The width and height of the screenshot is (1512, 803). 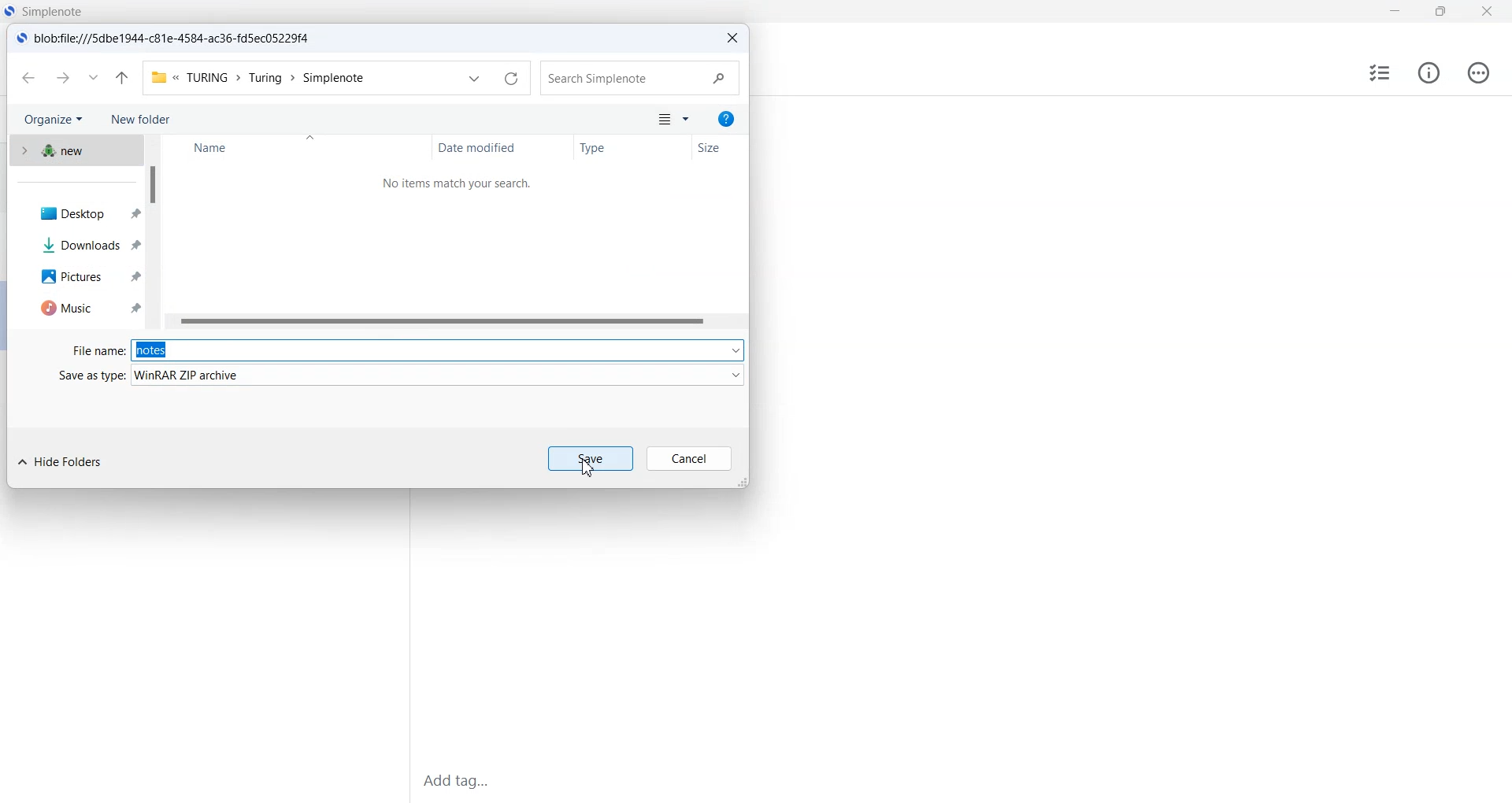 I want to click on Upto , so click(x=122, y=77).